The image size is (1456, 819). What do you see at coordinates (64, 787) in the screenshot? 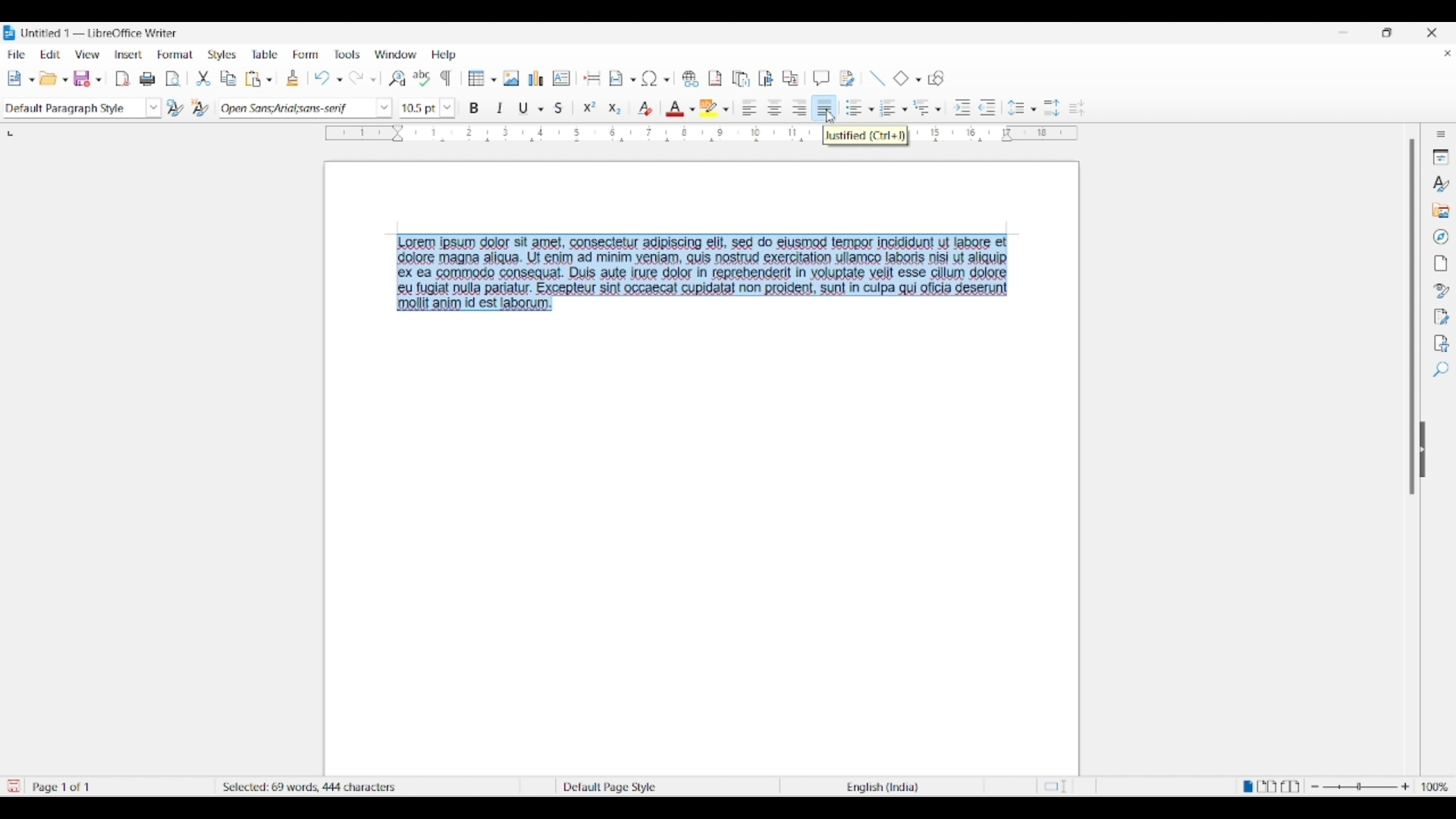
I see `Page 1 of 1` at bounding box center [64, 787].